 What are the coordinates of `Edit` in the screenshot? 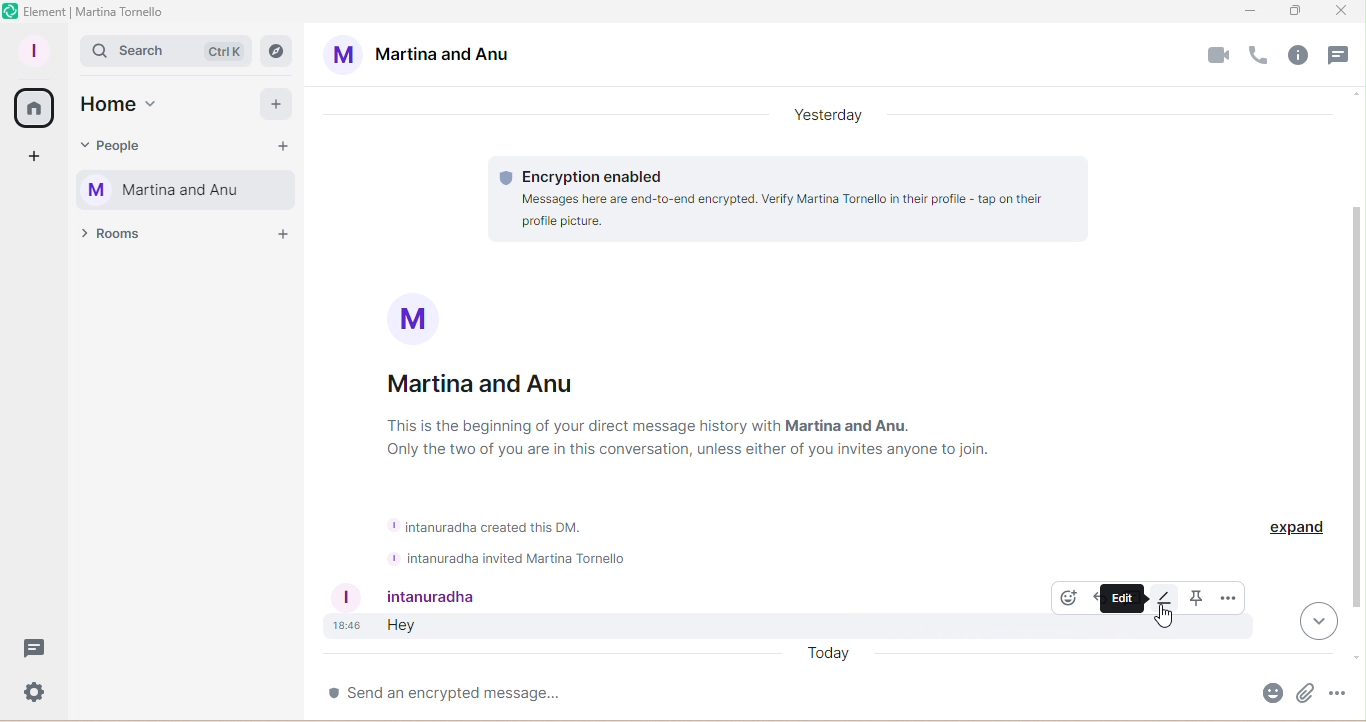 It's located at (1163, 599).